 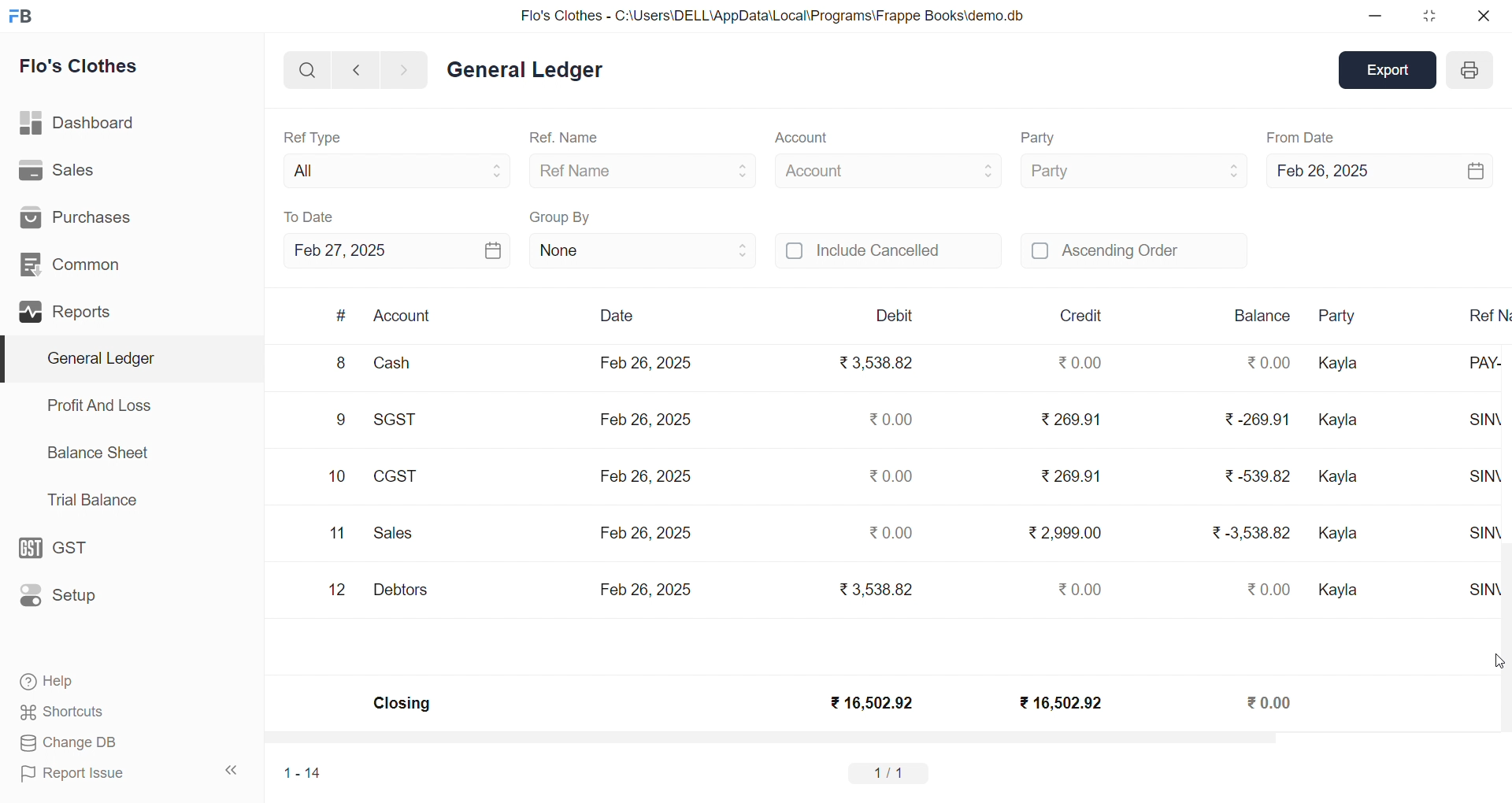 What do you see at coordinates (1058, 701) in the screenshot?
I see `₹ 16,502.92` at bounding box center [1058, 701].